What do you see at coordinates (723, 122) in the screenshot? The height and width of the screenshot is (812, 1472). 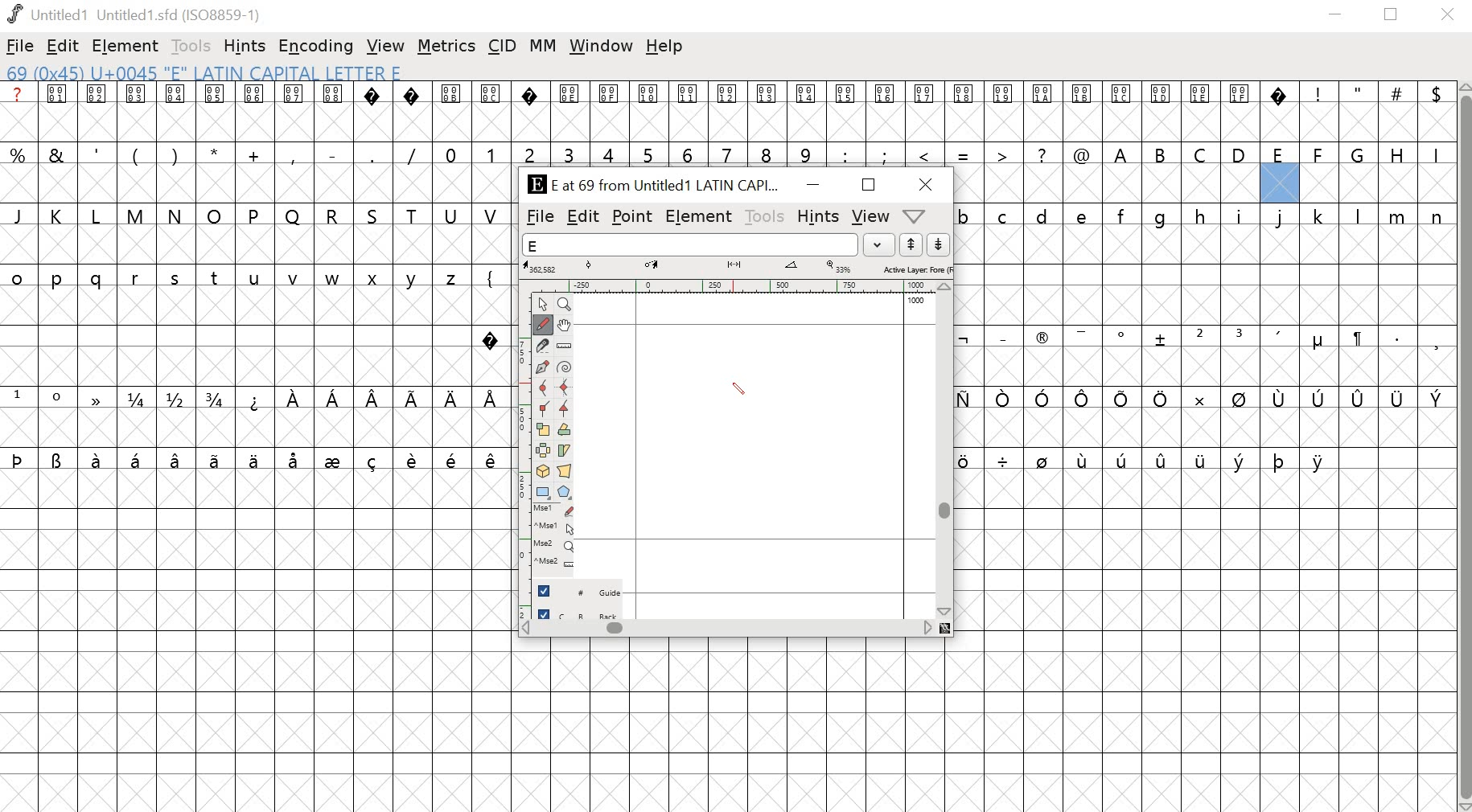 I see `empty cells` at bounding box center [723, 122].